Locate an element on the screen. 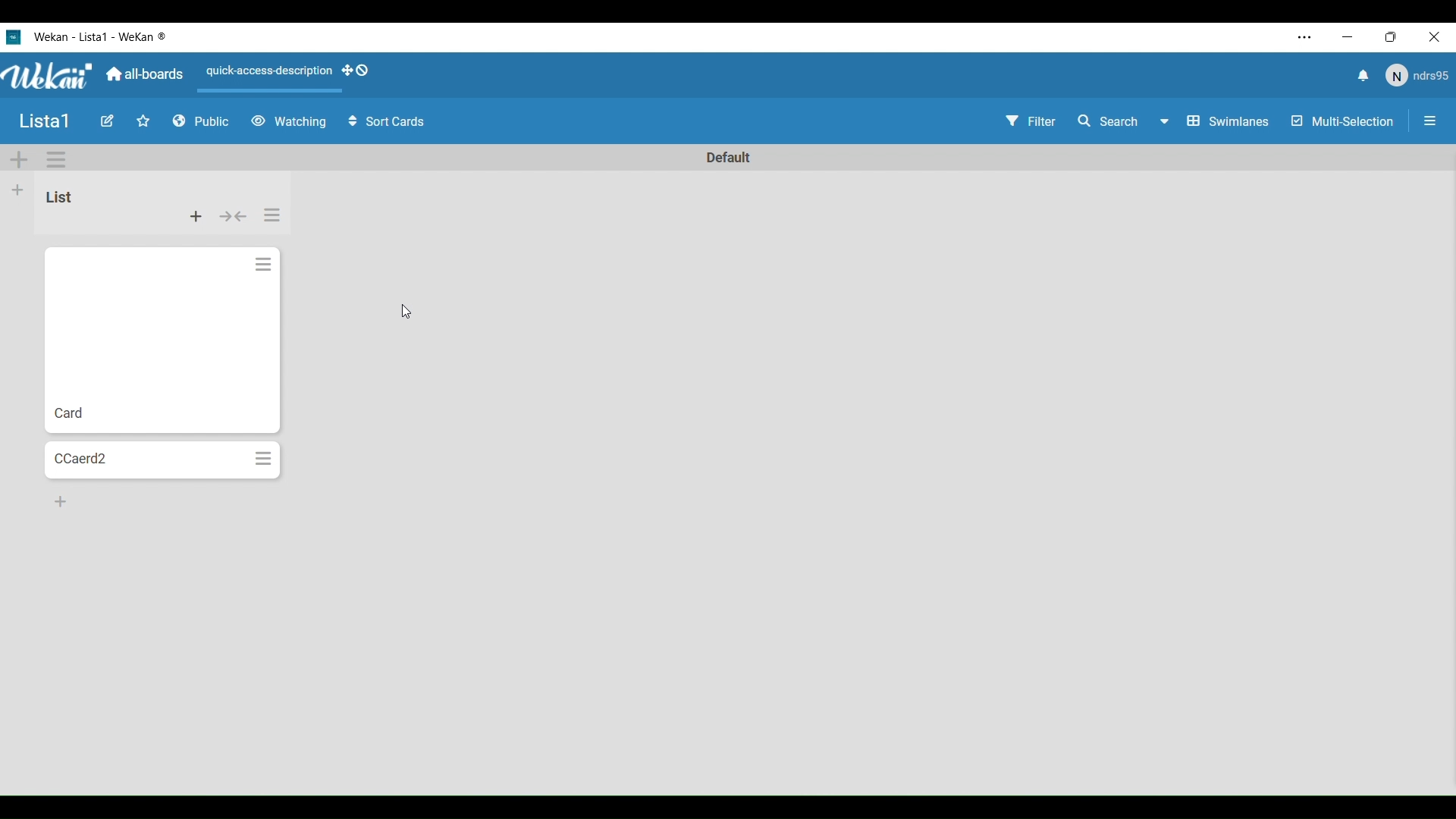 This screenshot has height=819, width=1456. Minimize is located at coordinates (1349, 37).